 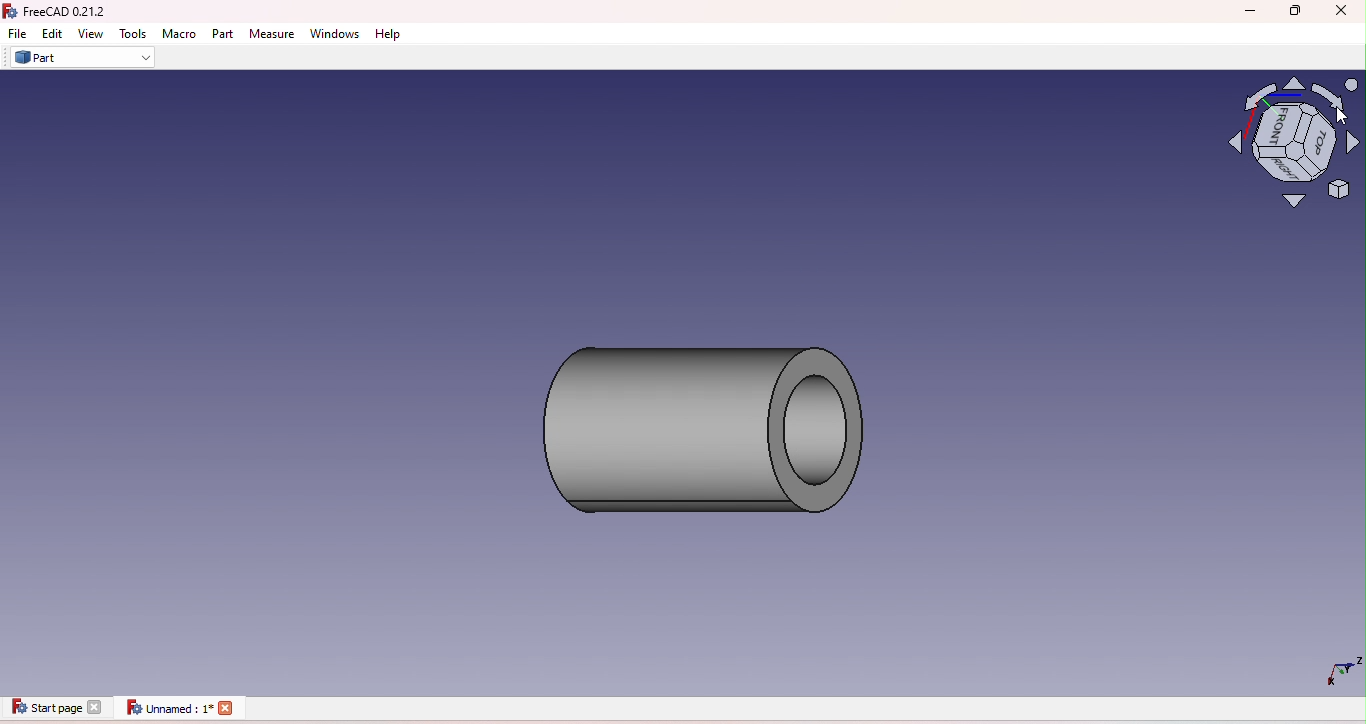 What do you see at coordinates (182, 34) in the screenshot?
I see `Macro` at bounding box center [182, 34].